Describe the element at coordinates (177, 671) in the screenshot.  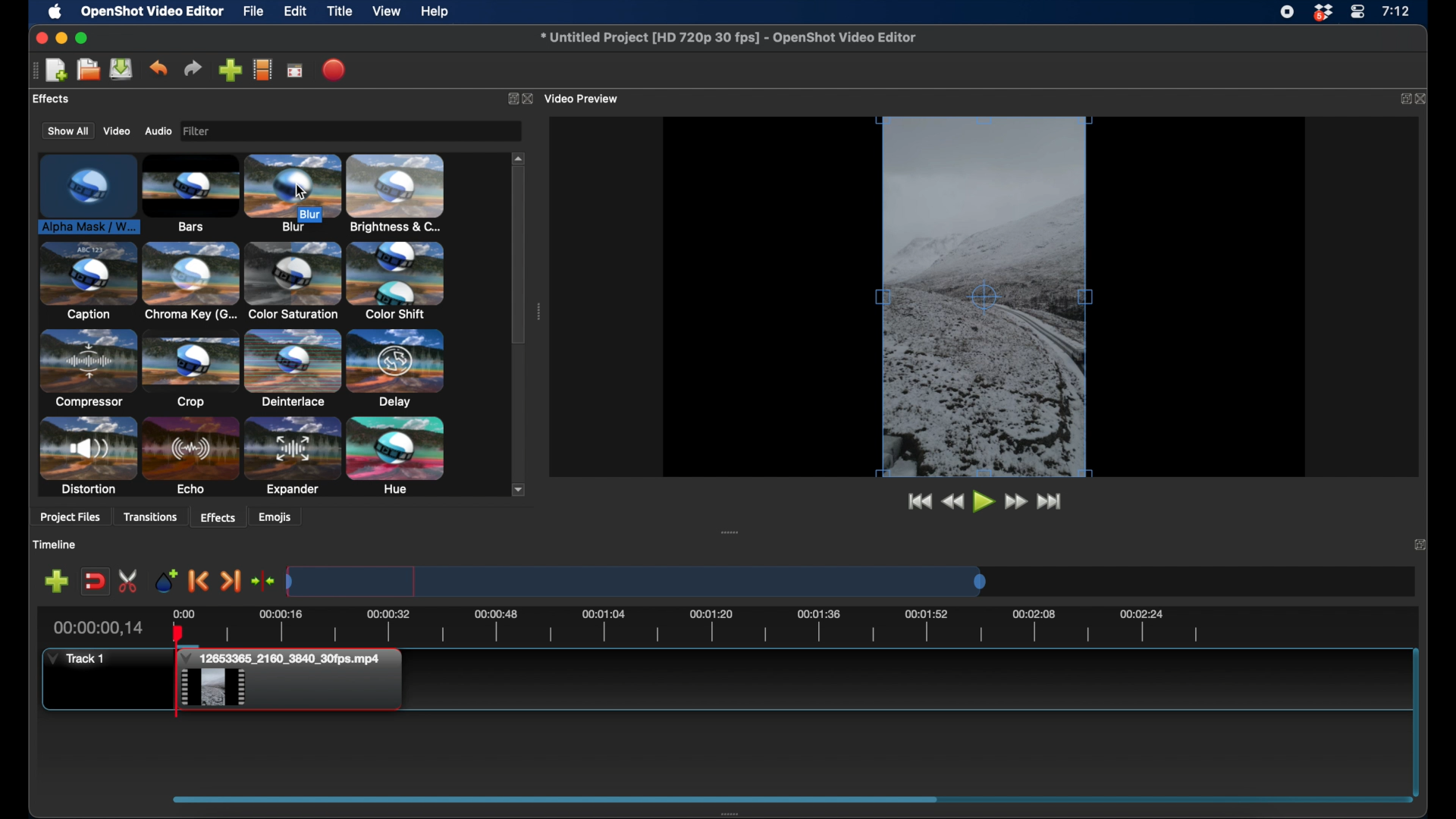
I see `playhead` at that location.